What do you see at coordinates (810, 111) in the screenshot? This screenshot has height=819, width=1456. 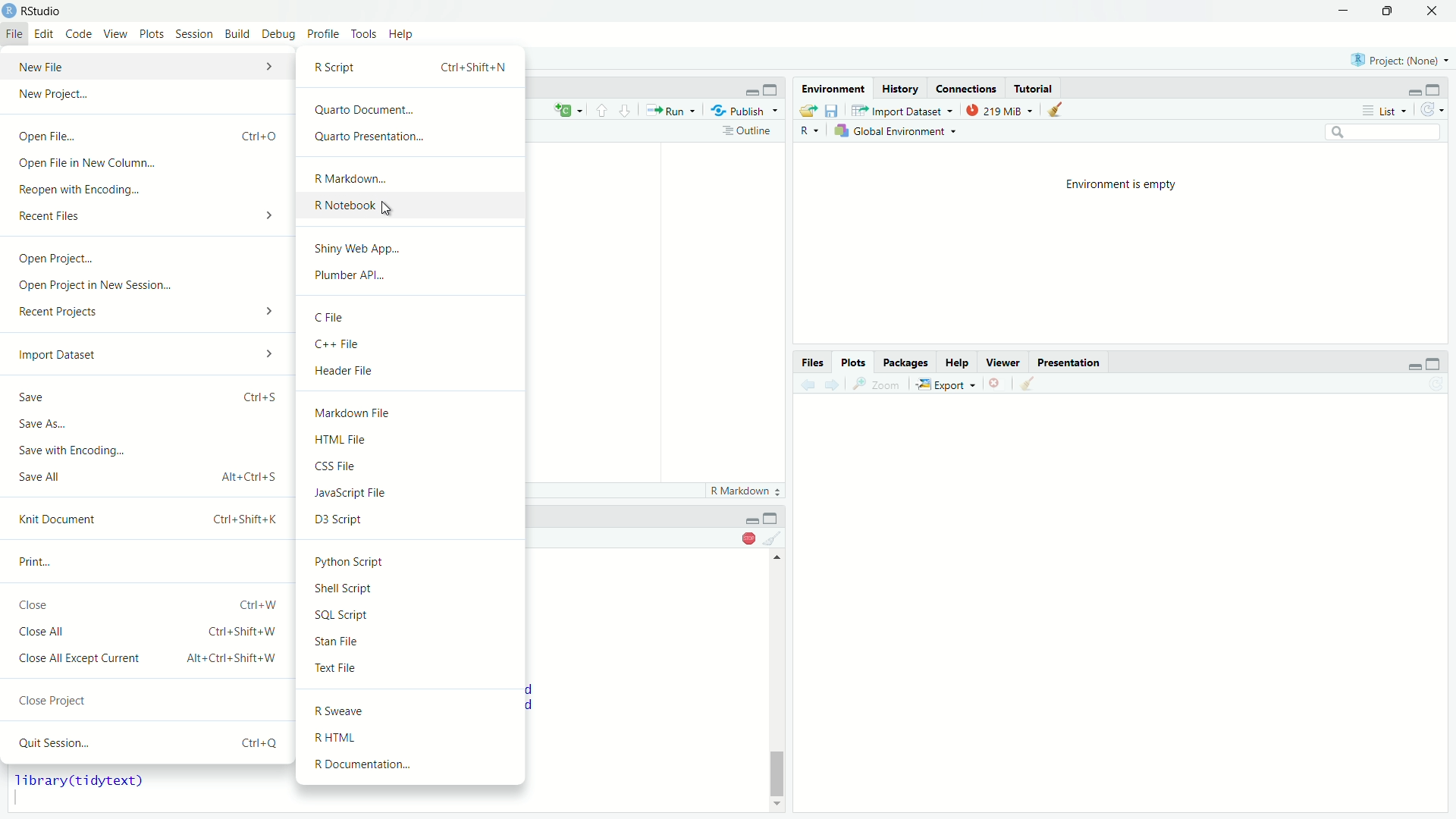 I see `load workspace` at bounding box center [810, 111].